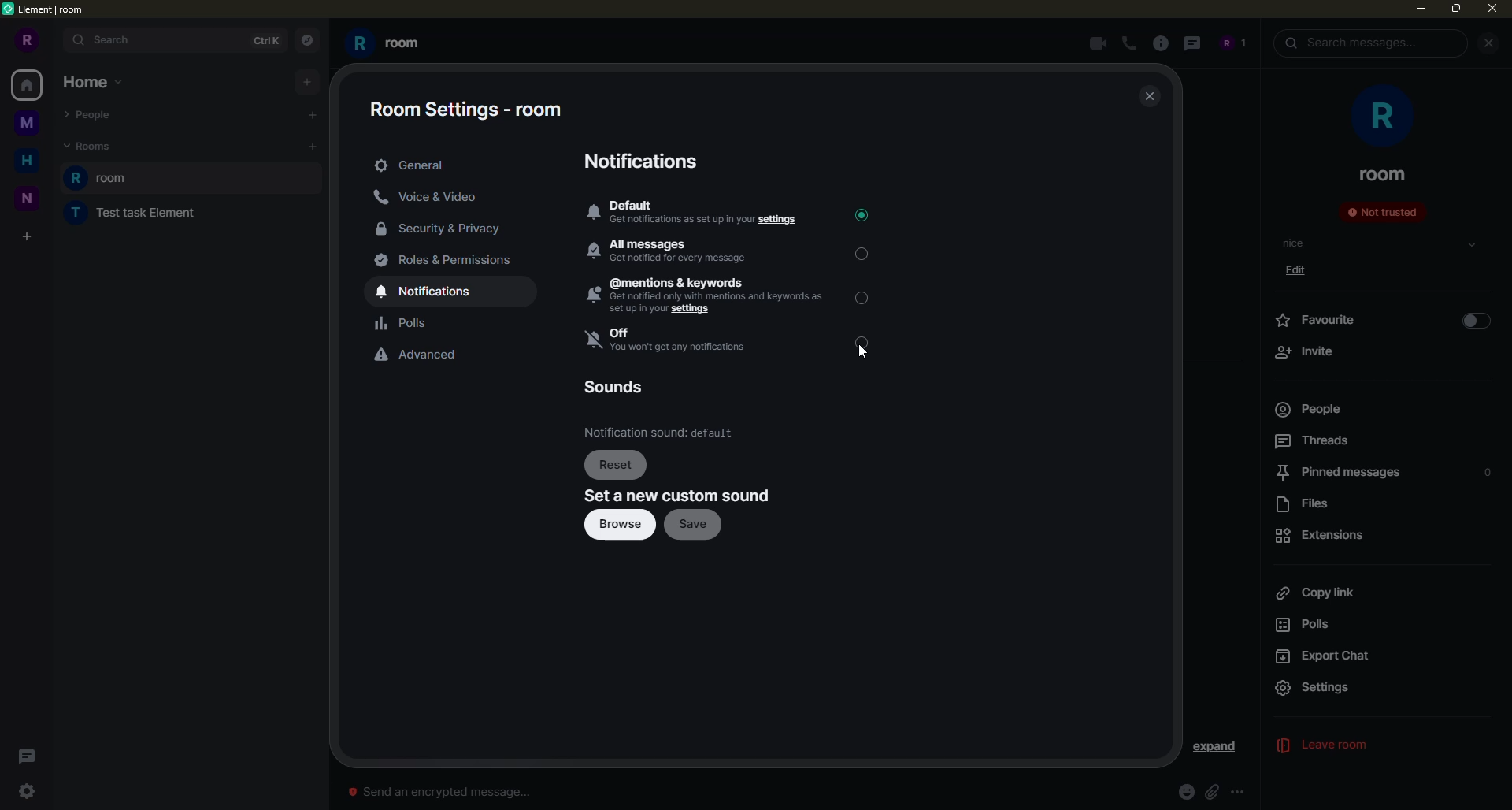 The image size is (1512, 810). I want to click on reset, so click(617, 465).